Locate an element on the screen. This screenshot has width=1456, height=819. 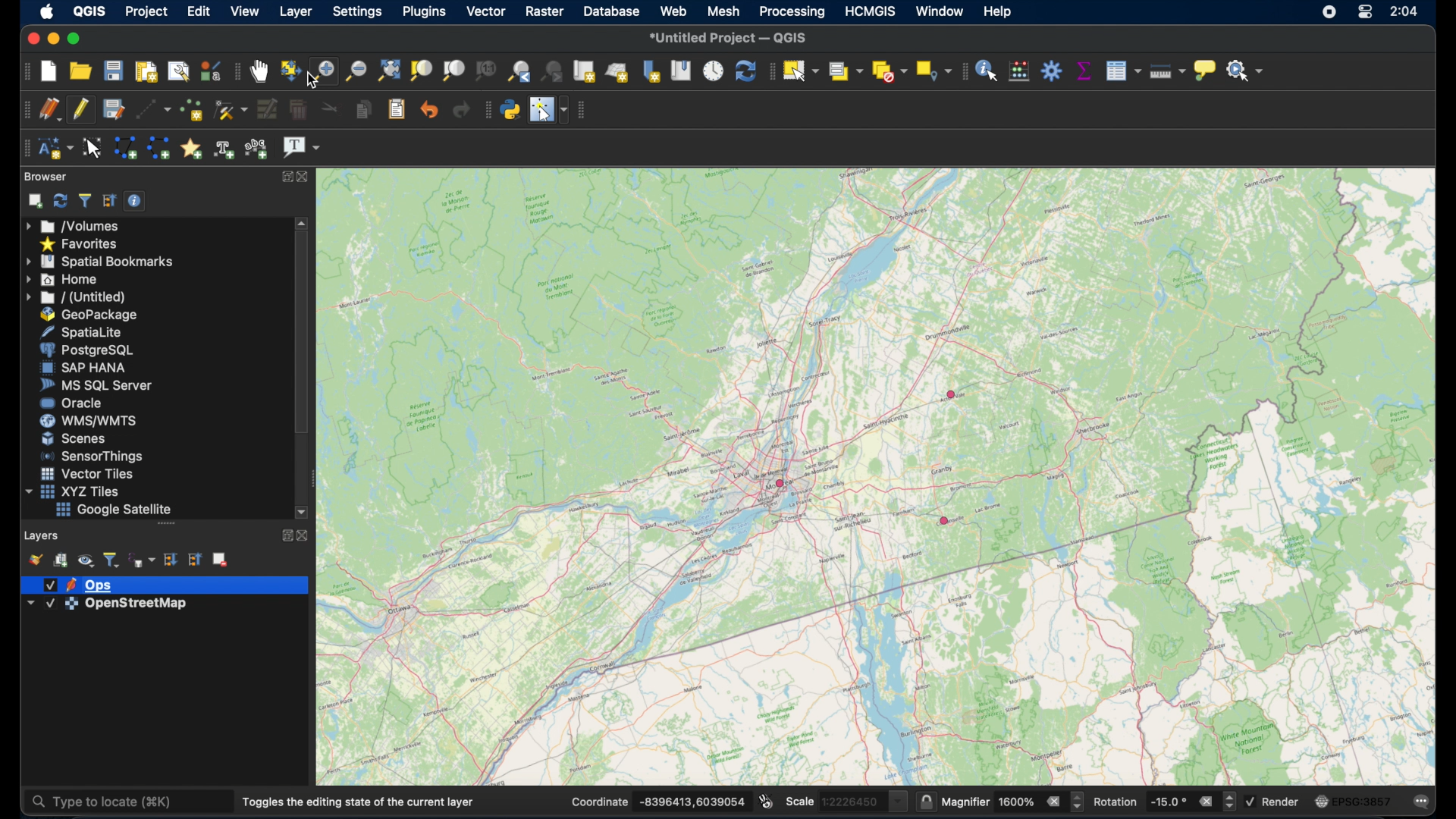
save project is located at coordinates (115, 70).